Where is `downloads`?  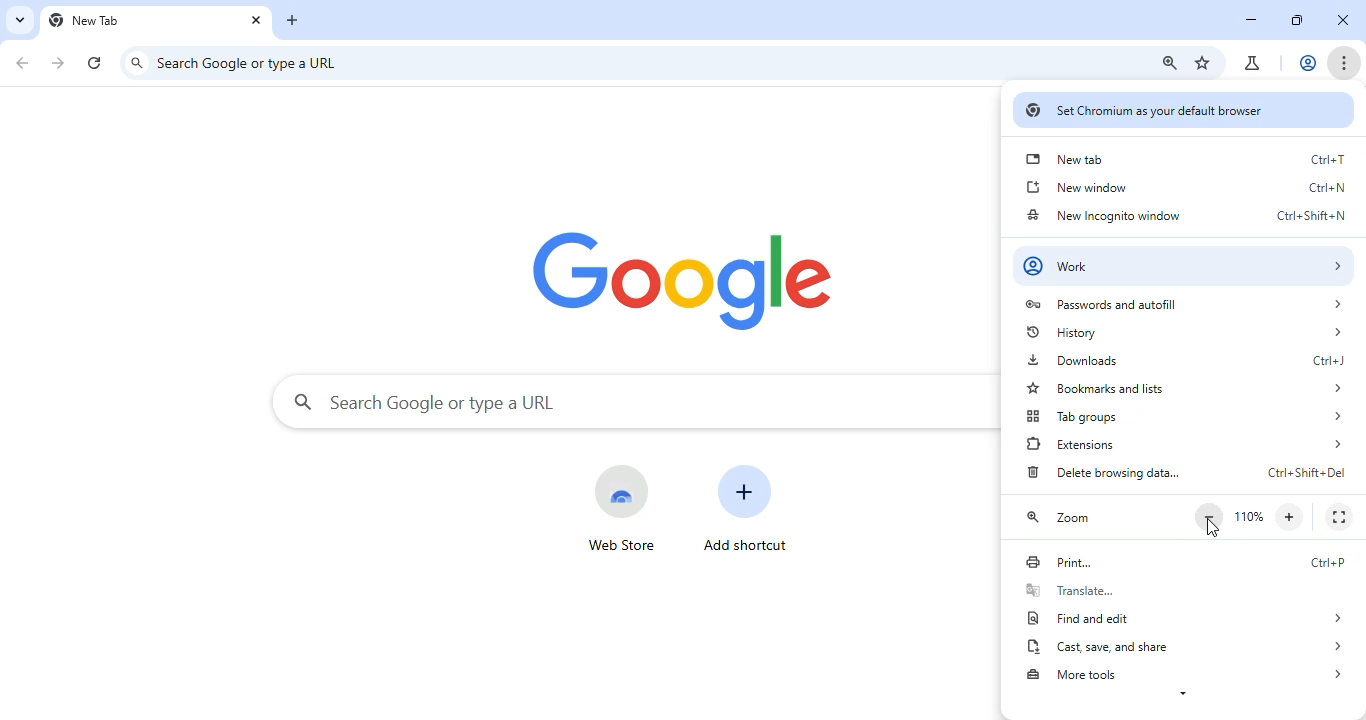
downloads is located at coordinates (1182, 358).